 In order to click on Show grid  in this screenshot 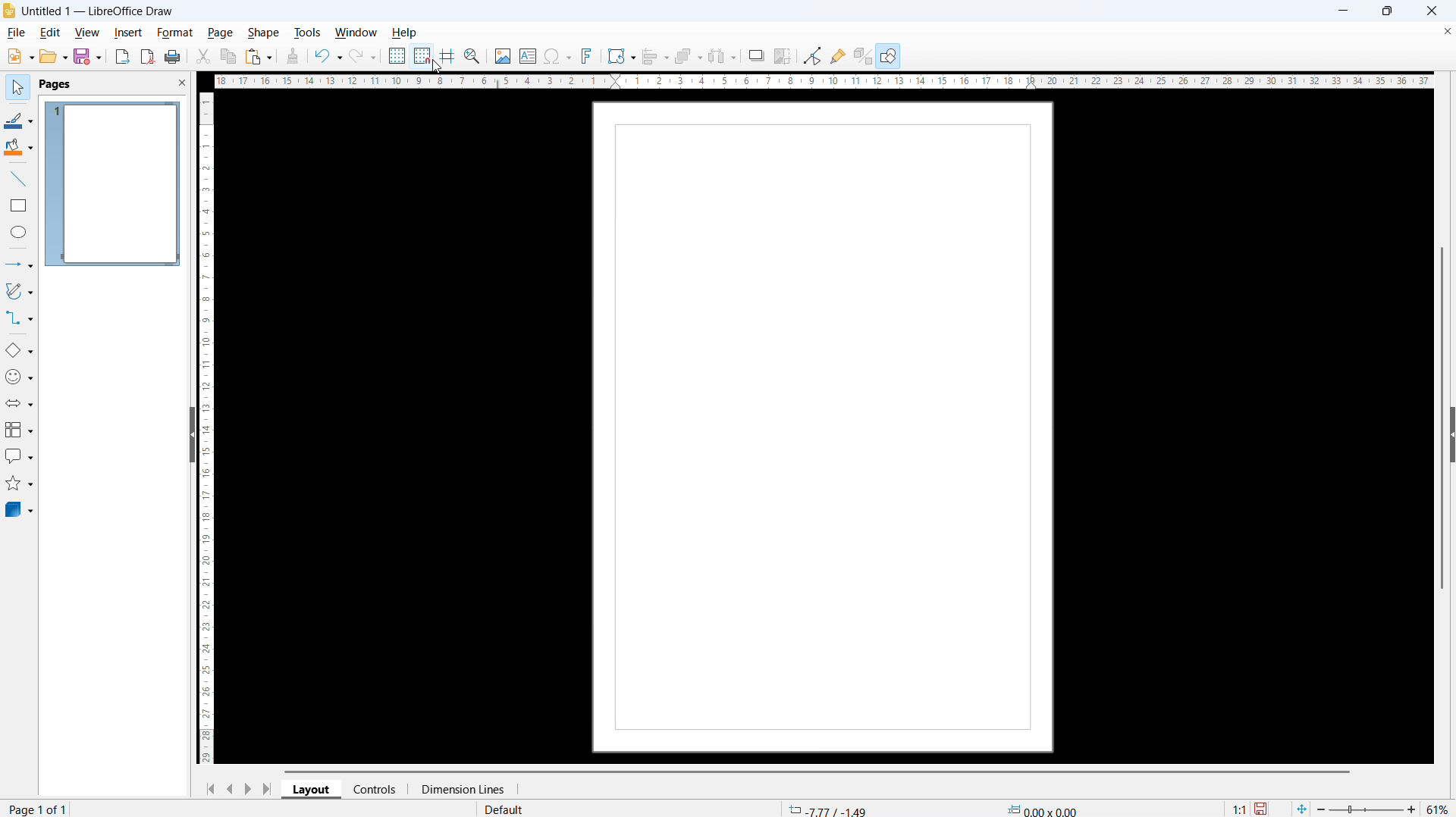, I will do `click(396, 56)`.